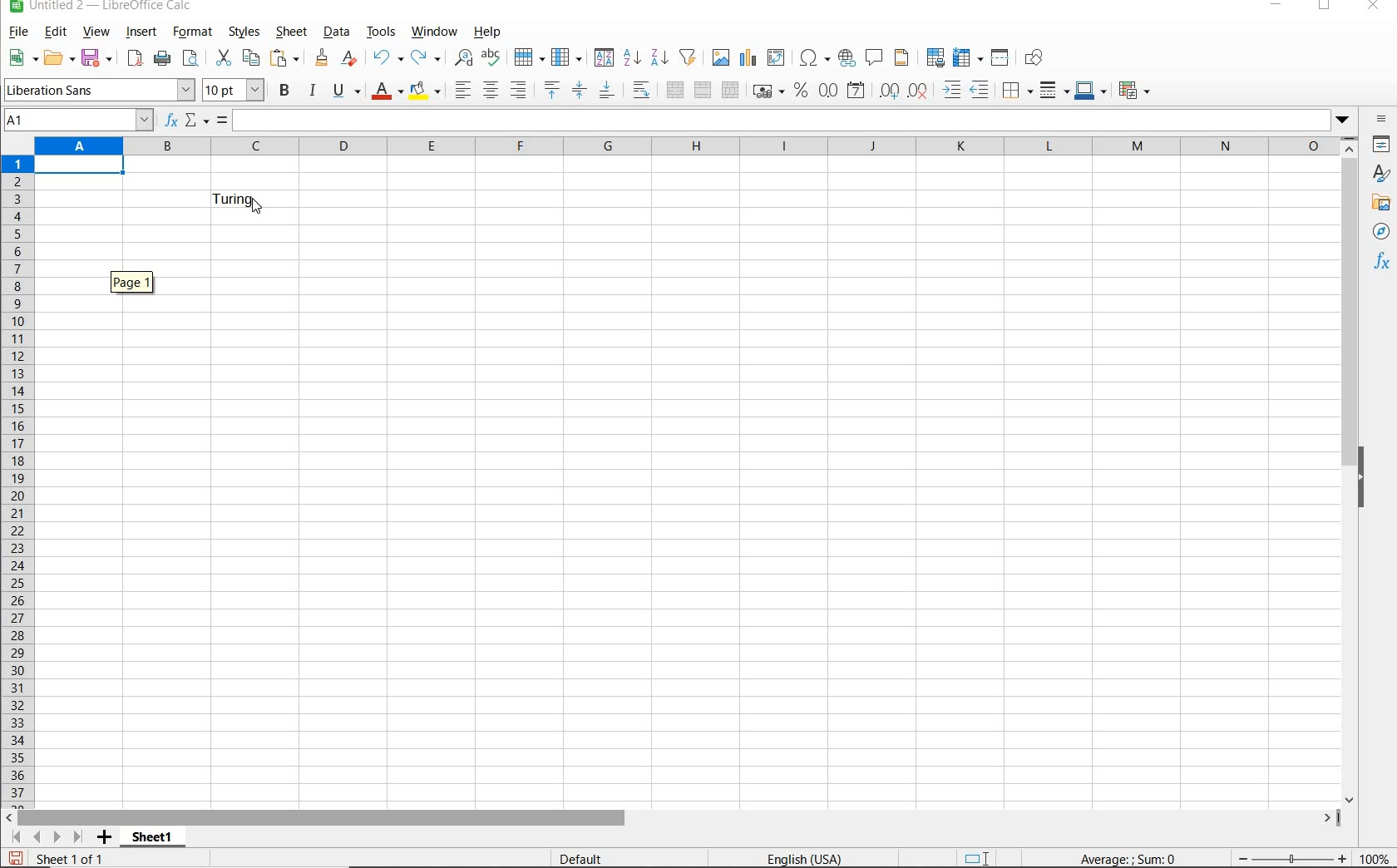 The height and width of the screenshot is (868, 1397). What do you see at coordinates (68, 859) in the screenshot?
I see `SHEET 1 OF 1` at bounding box center [68, 859].